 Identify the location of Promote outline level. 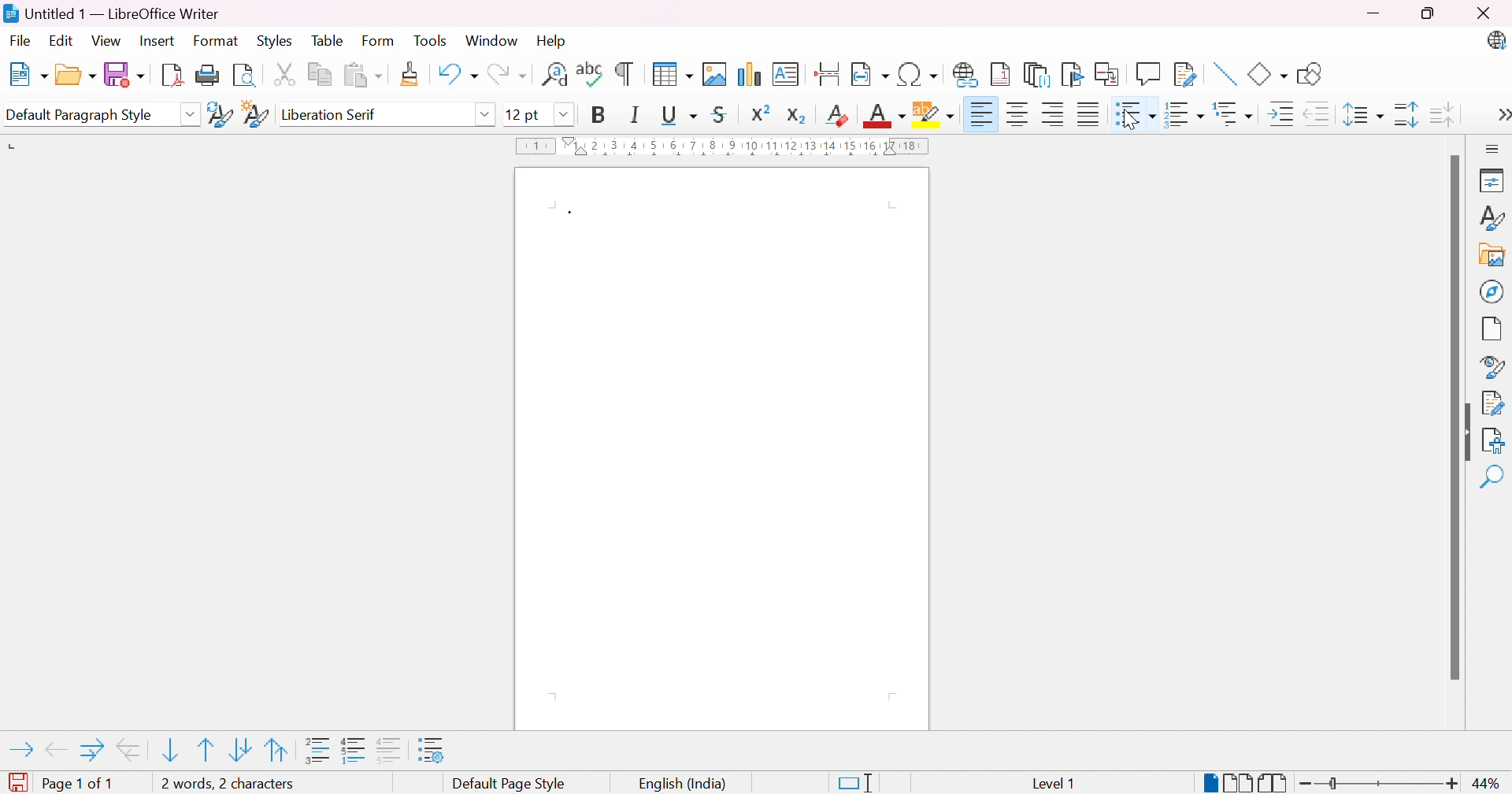
(55, 749).